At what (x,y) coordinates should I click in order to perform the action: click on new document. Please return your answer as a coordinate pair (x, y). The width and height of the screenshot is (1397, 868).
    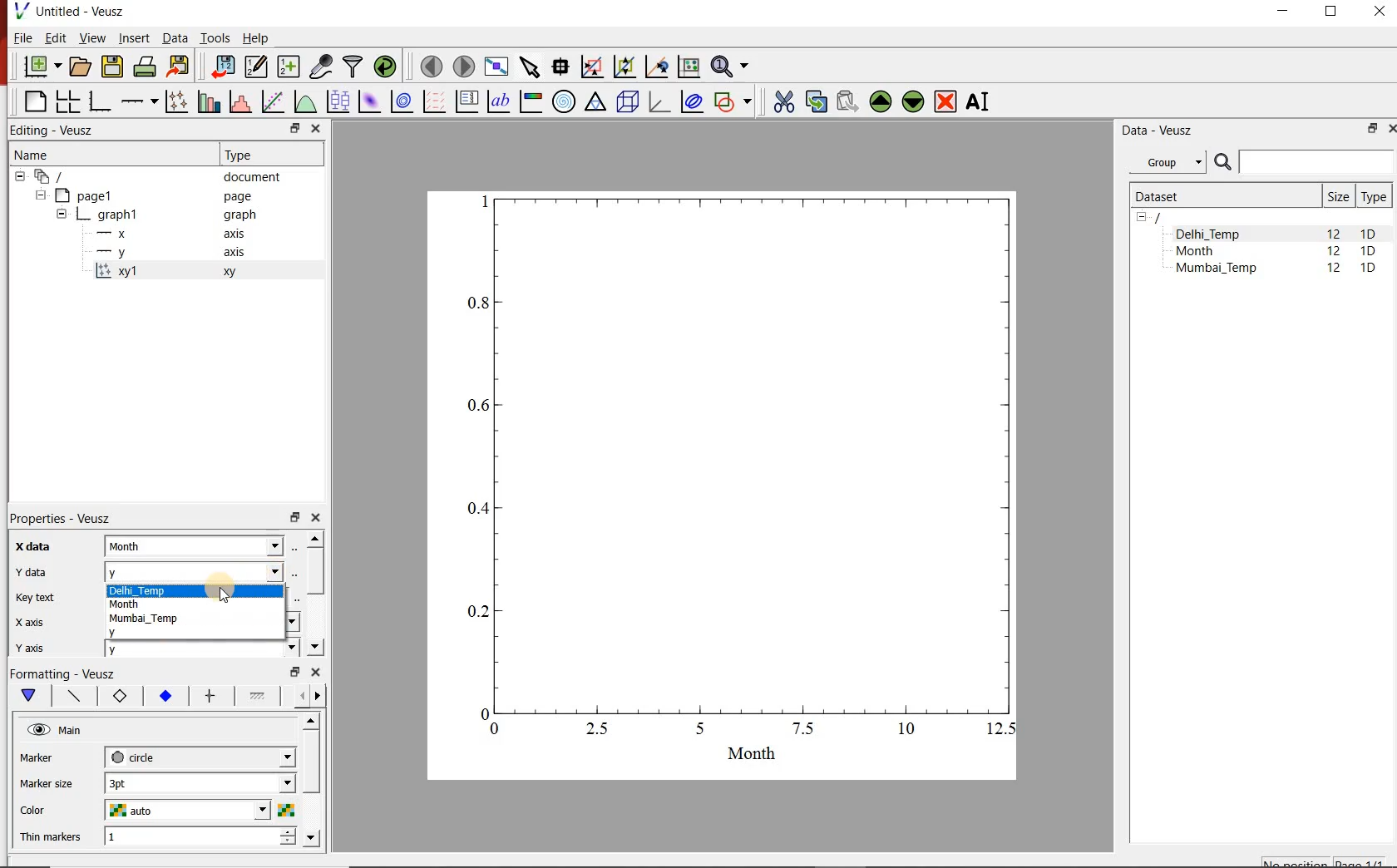
    Looking at the image, I should click on (41, 67).